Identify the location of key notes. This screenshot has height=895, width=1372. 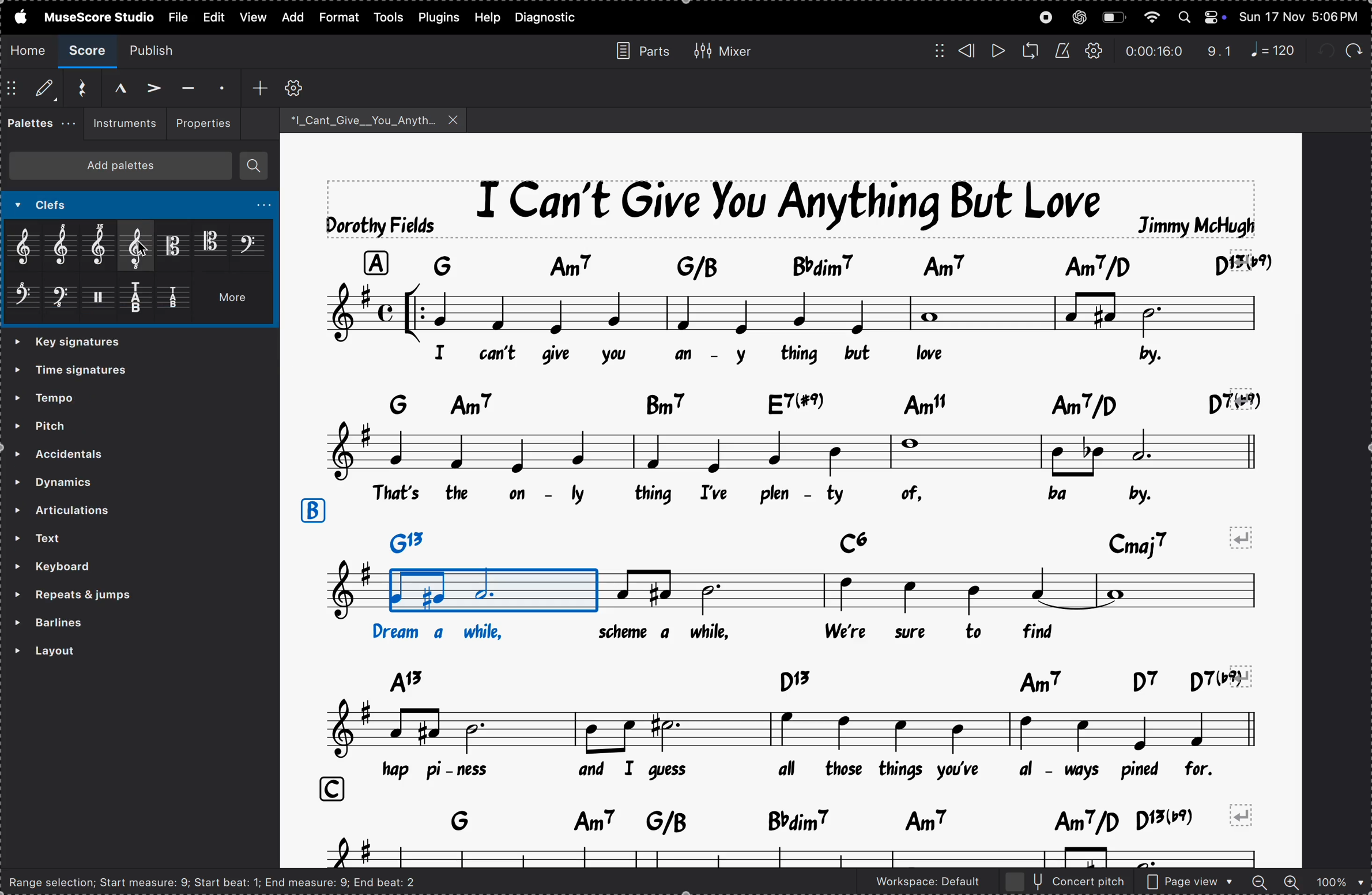
(824, 539).